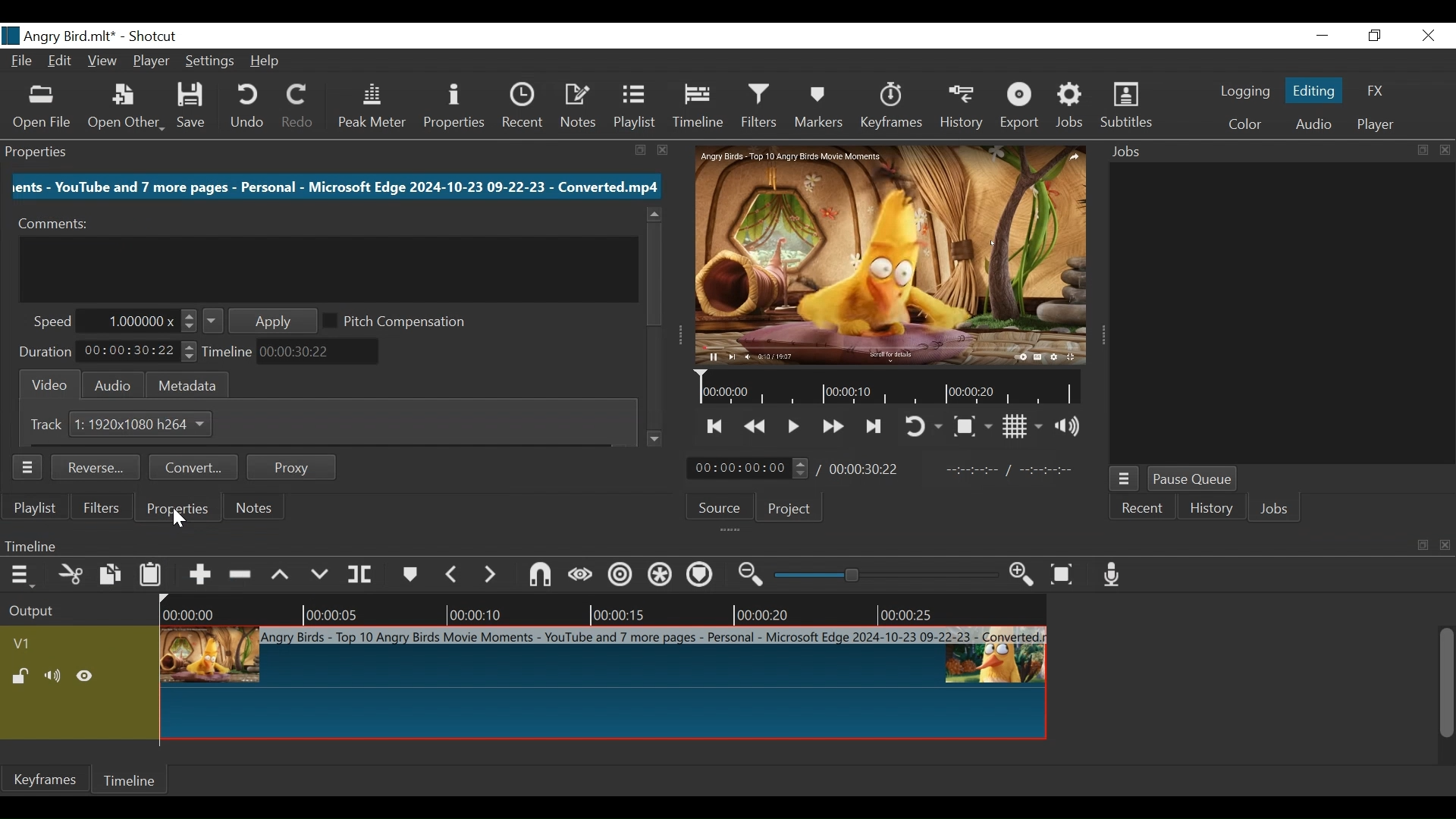 This screenshot has height=819, width=1456. Describe the element at coordinates (1313, 124) in the screenshot. I see `Audio` at that location.